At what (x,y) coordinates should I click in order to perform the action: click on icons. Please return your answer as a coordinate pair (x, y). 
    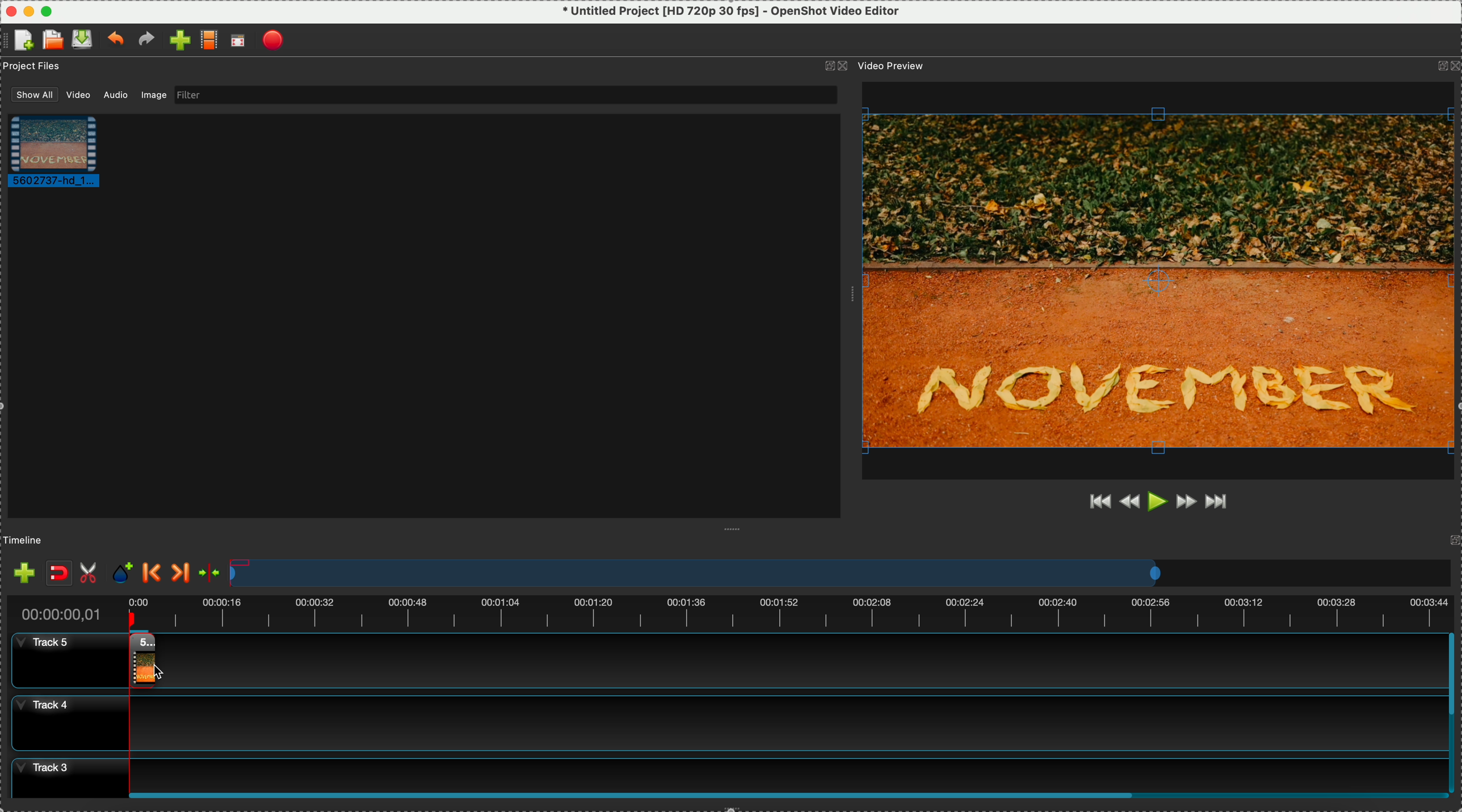
    Looking at the image, I should click on (1447, 67).